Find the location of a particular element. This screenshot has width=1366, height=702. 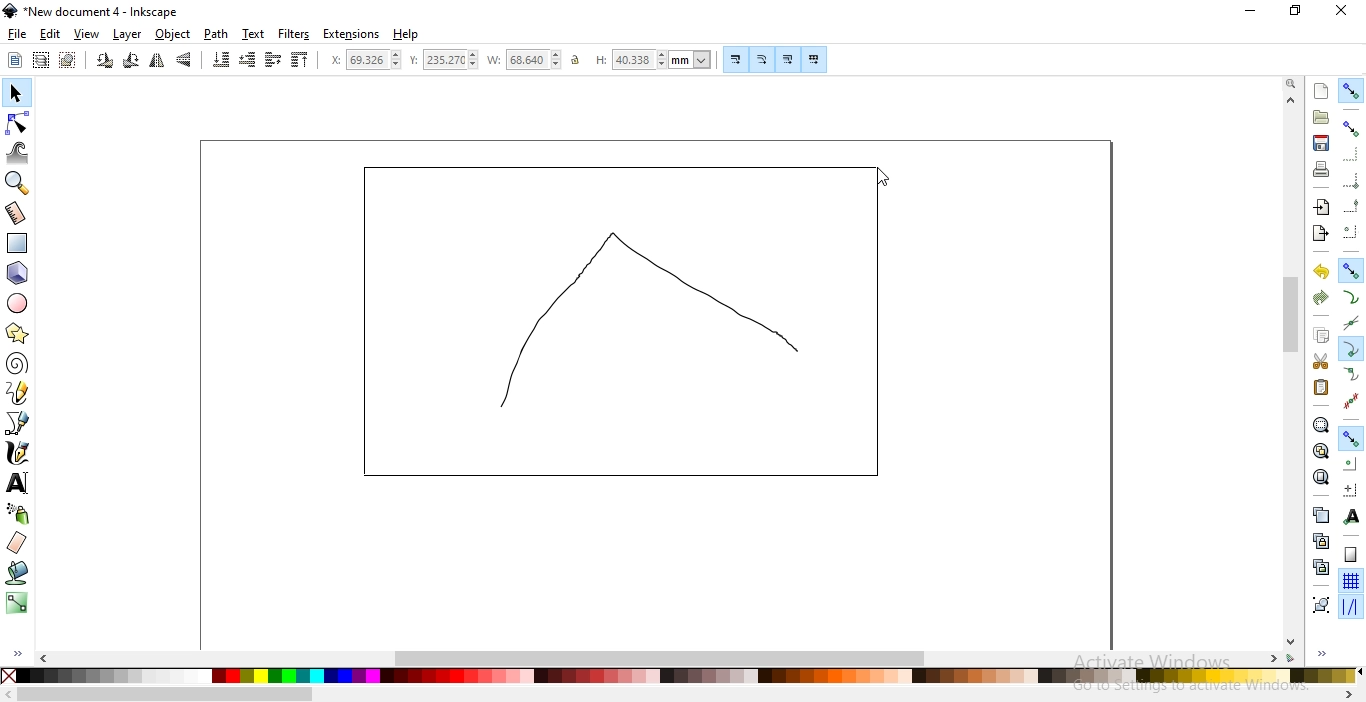

move patterns along with objects is located at coordinates (815, 59).